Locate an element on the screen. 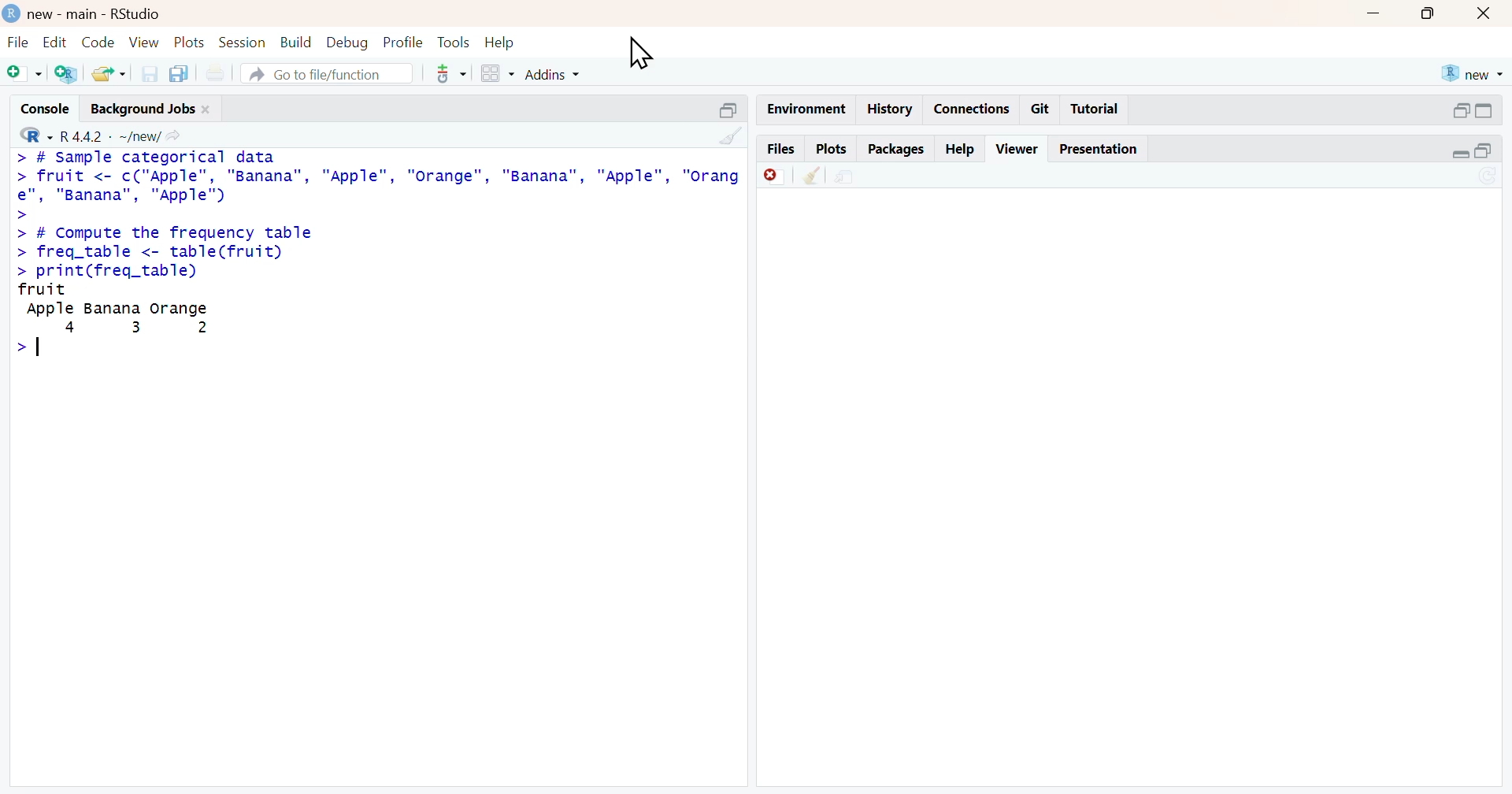 This screenshot has width=1512, height=794. expand is located at coordinates (1455, 154).